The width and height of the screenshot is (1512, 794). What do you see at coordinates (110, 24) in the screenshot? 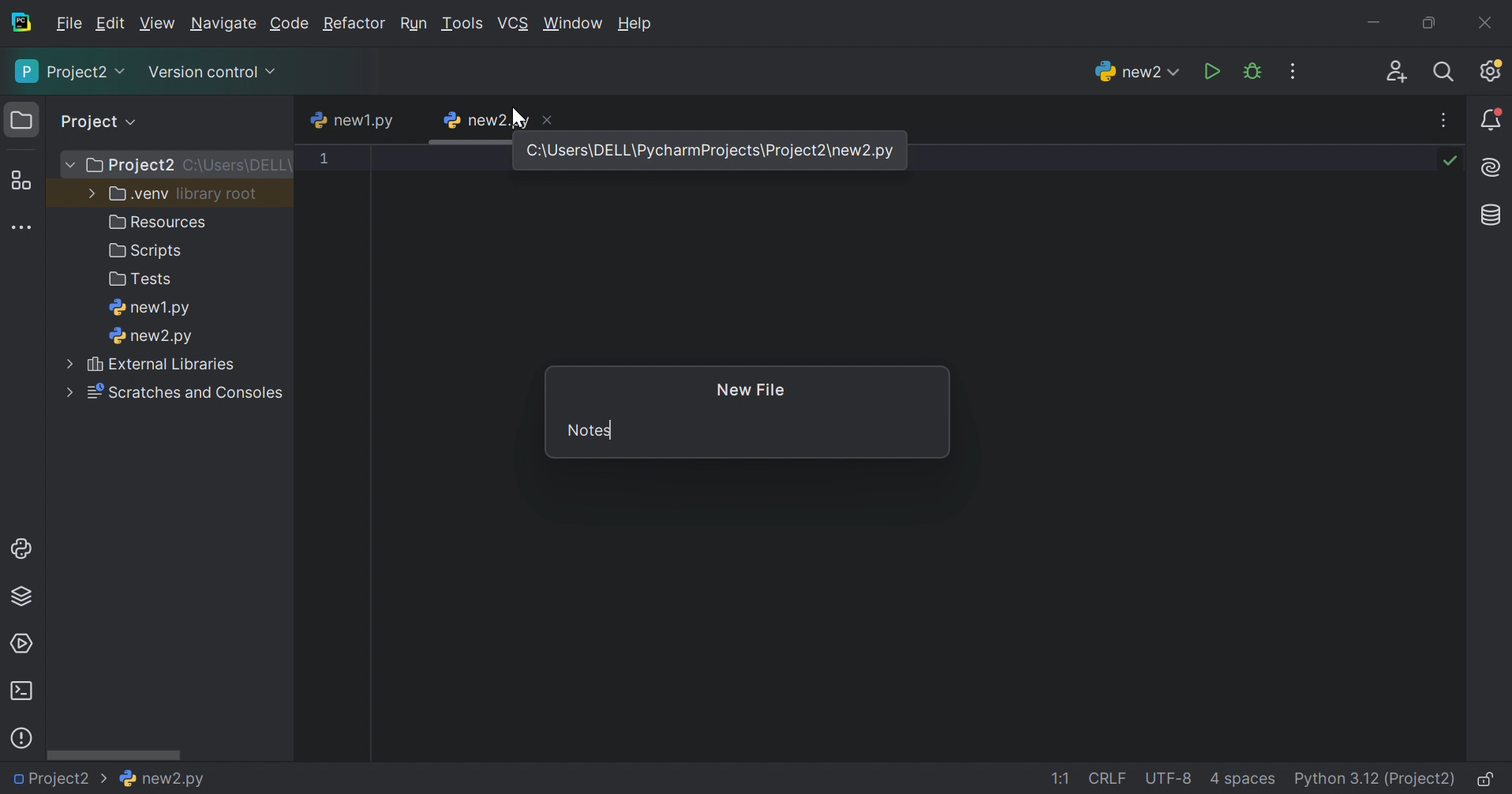
I see `Edit` at bounding box center [110, 24].